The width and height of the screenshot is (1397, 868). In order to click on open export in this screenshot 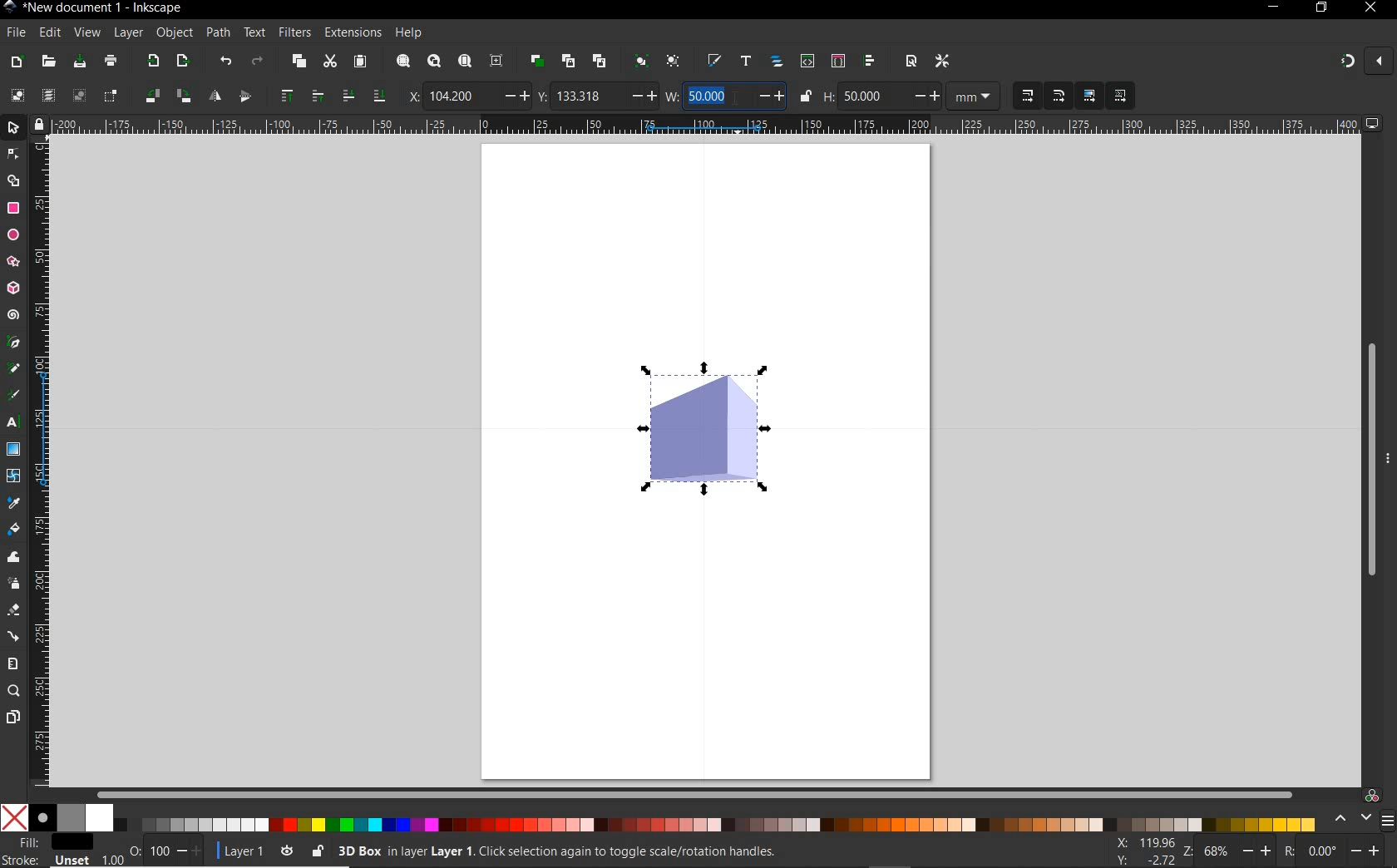, I will do `click(182, 60)`.